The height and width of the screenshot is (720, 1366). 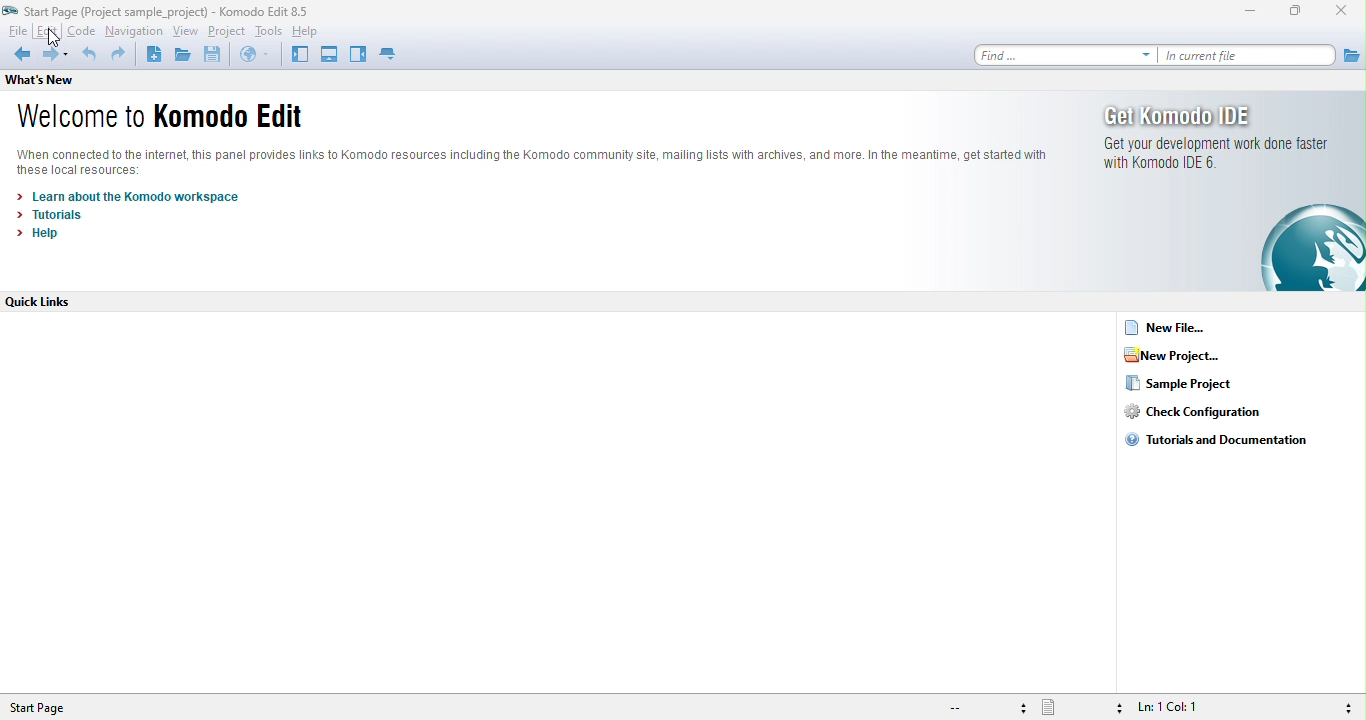 I want to click on view, so click(x=186, y=31).